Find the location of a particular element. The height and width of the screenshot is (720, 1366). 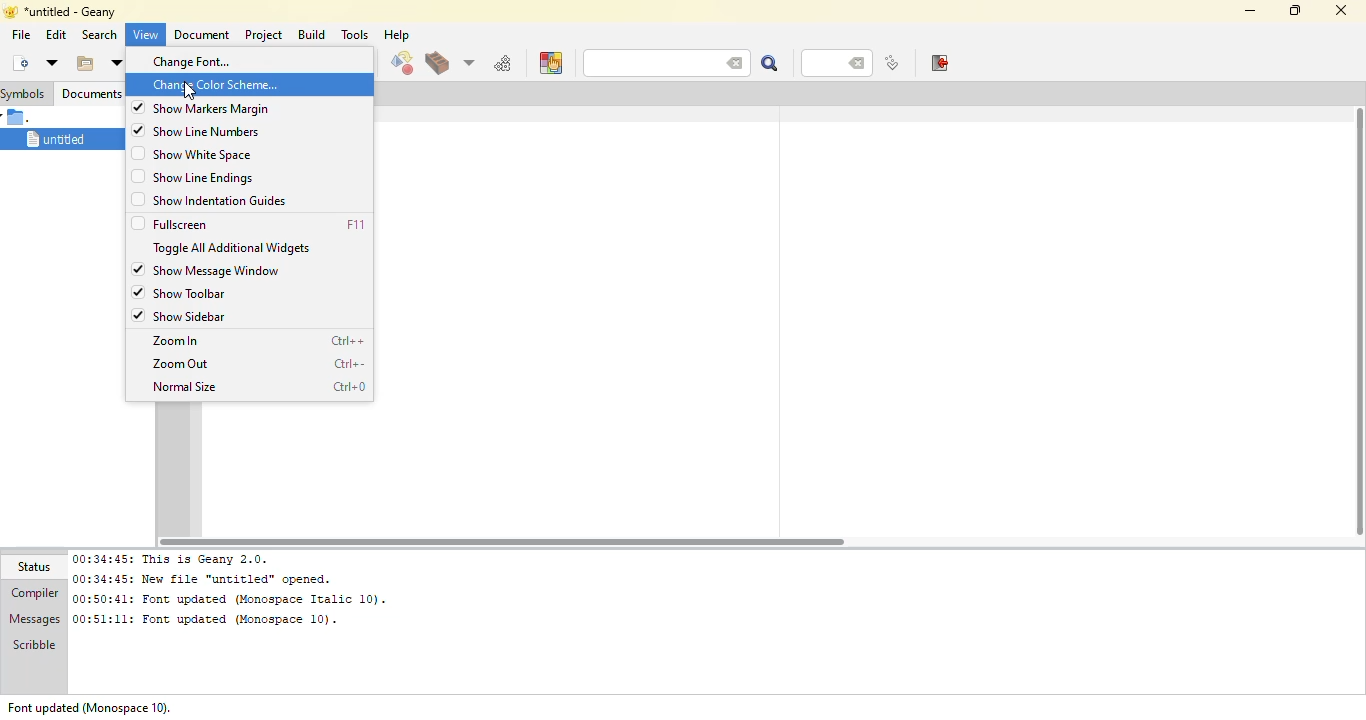

compile is located at coordinates (401, 64).